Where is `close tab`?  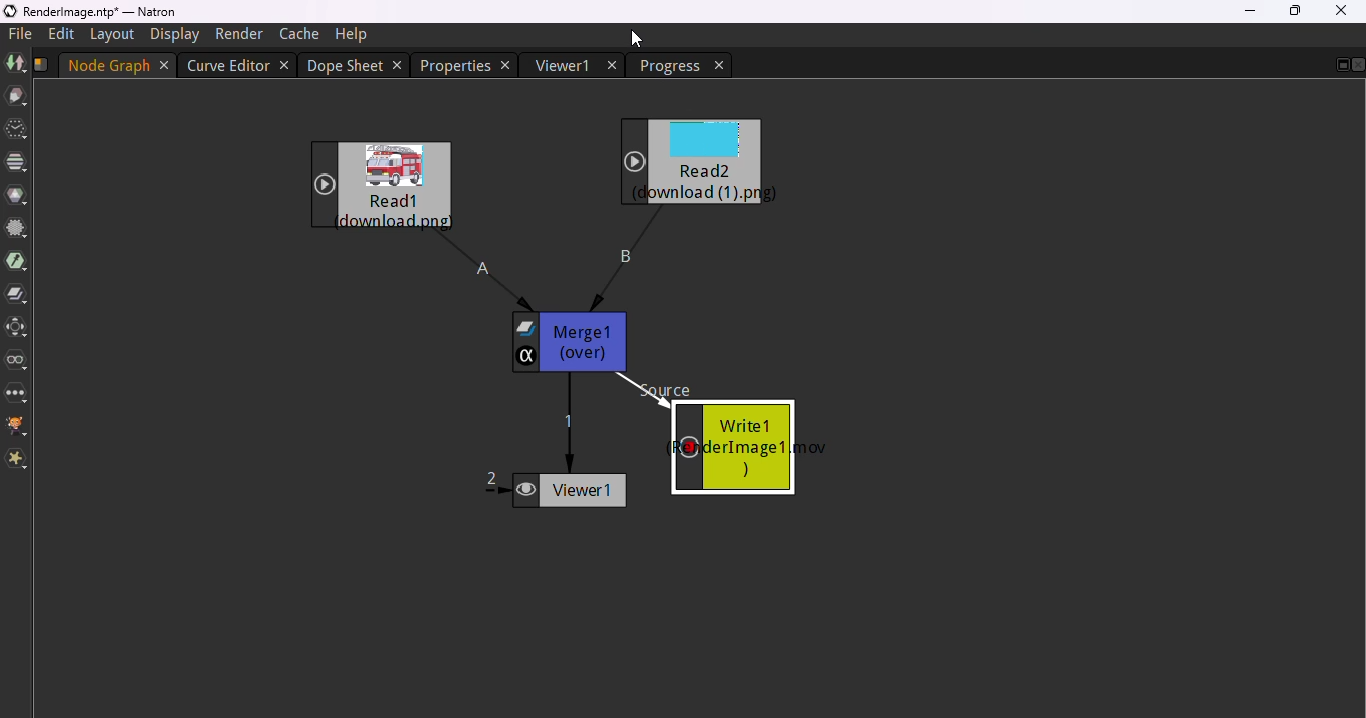
close tab is located at coordinates (507, 65).